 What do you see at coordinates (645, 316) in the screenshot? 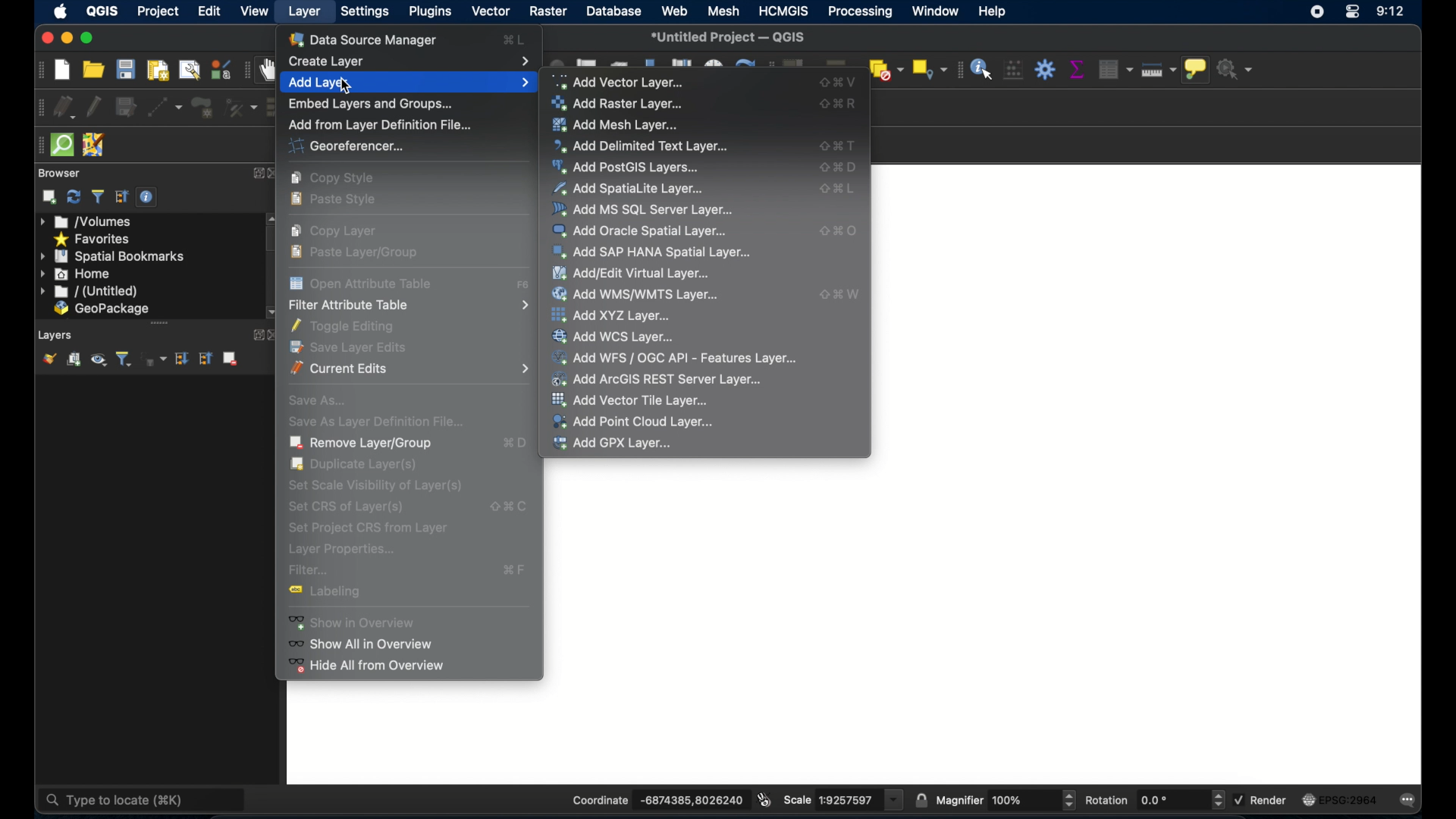
I see `Add XYZ Layer...` at bounding box center [645, 316].